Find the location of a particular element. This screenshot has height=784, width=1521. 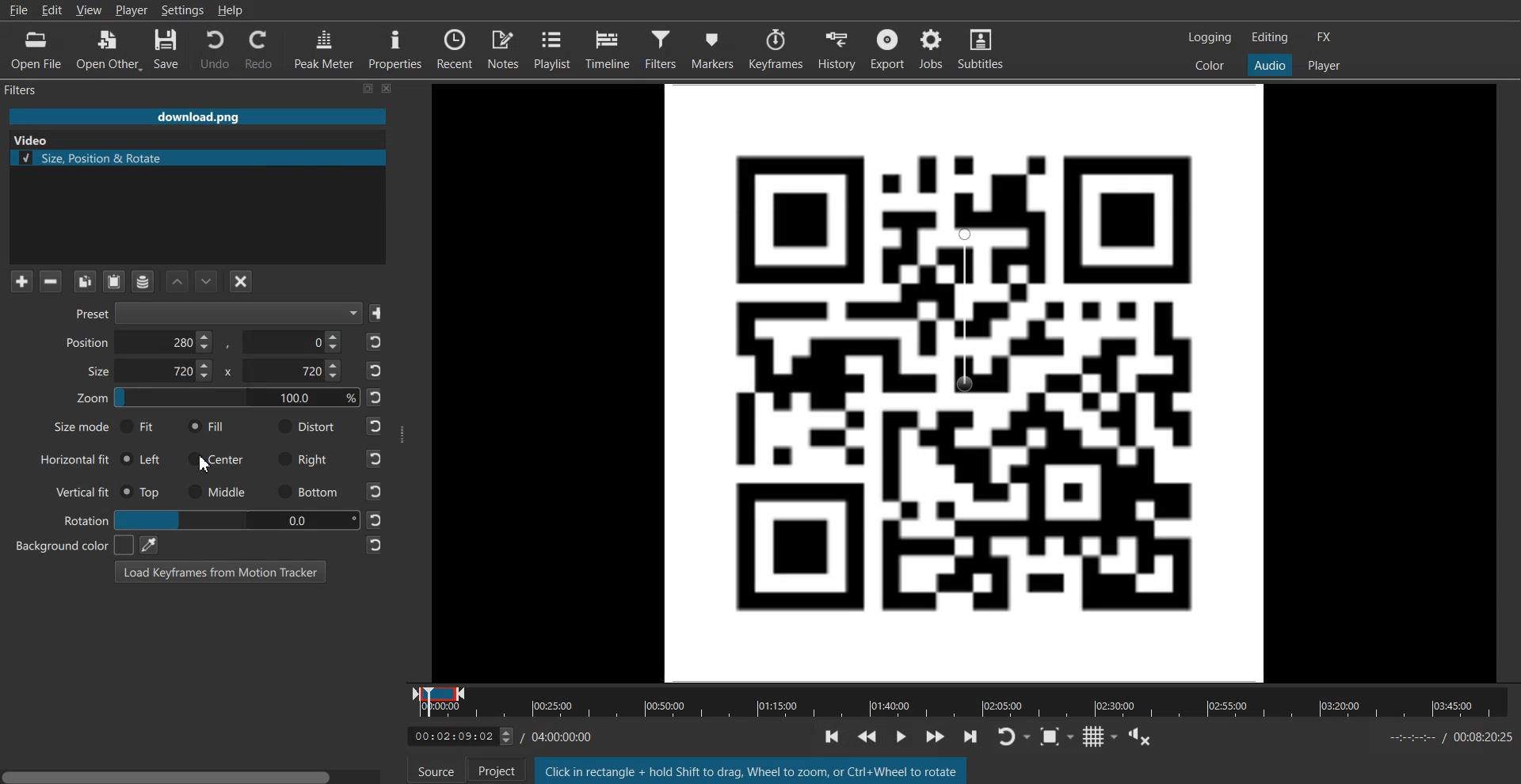

Slider is located at coordinates (963, 712).